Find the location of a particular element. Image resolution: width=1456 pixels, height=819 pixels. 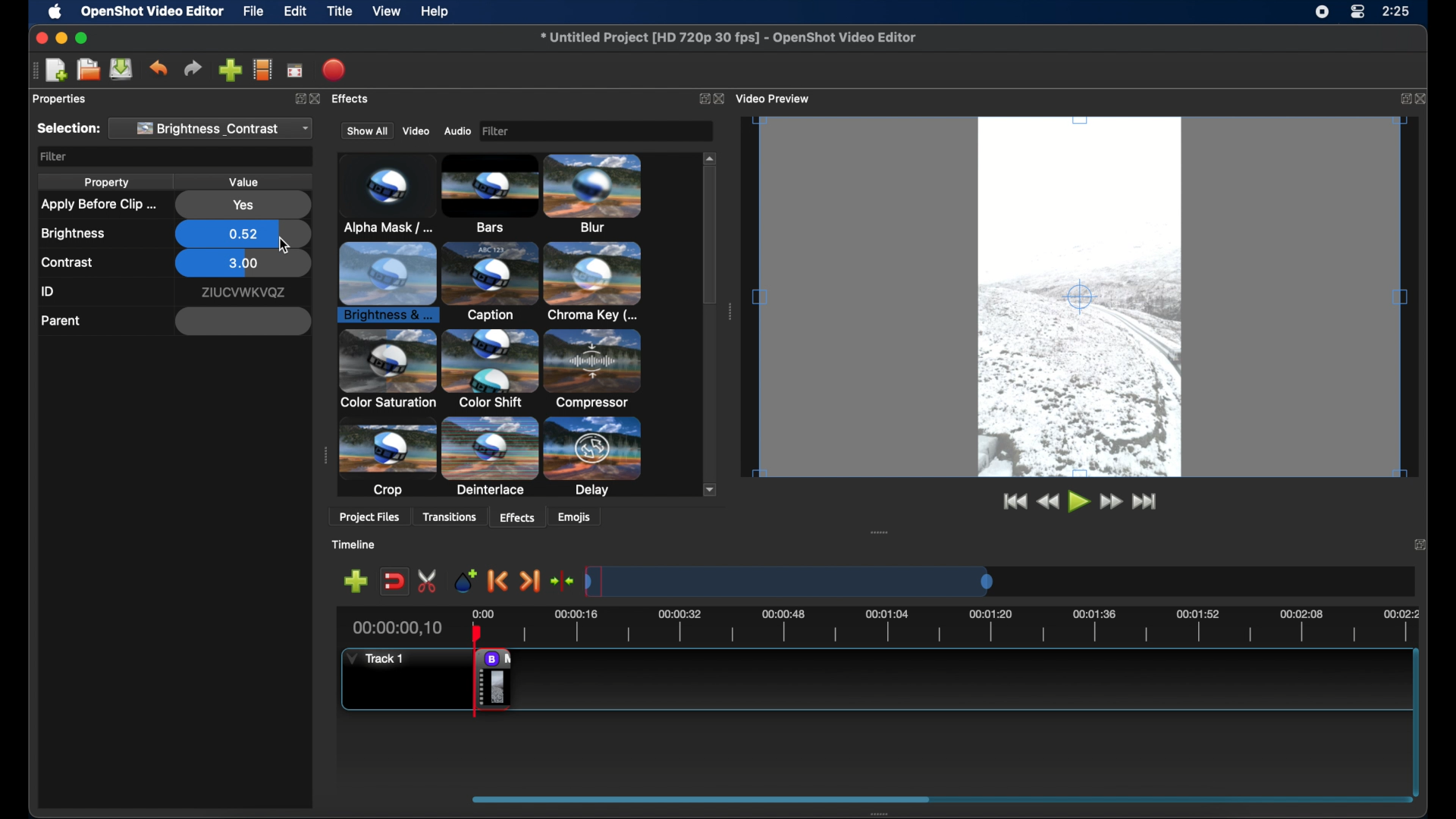

close is located at coordinates (38, 38).